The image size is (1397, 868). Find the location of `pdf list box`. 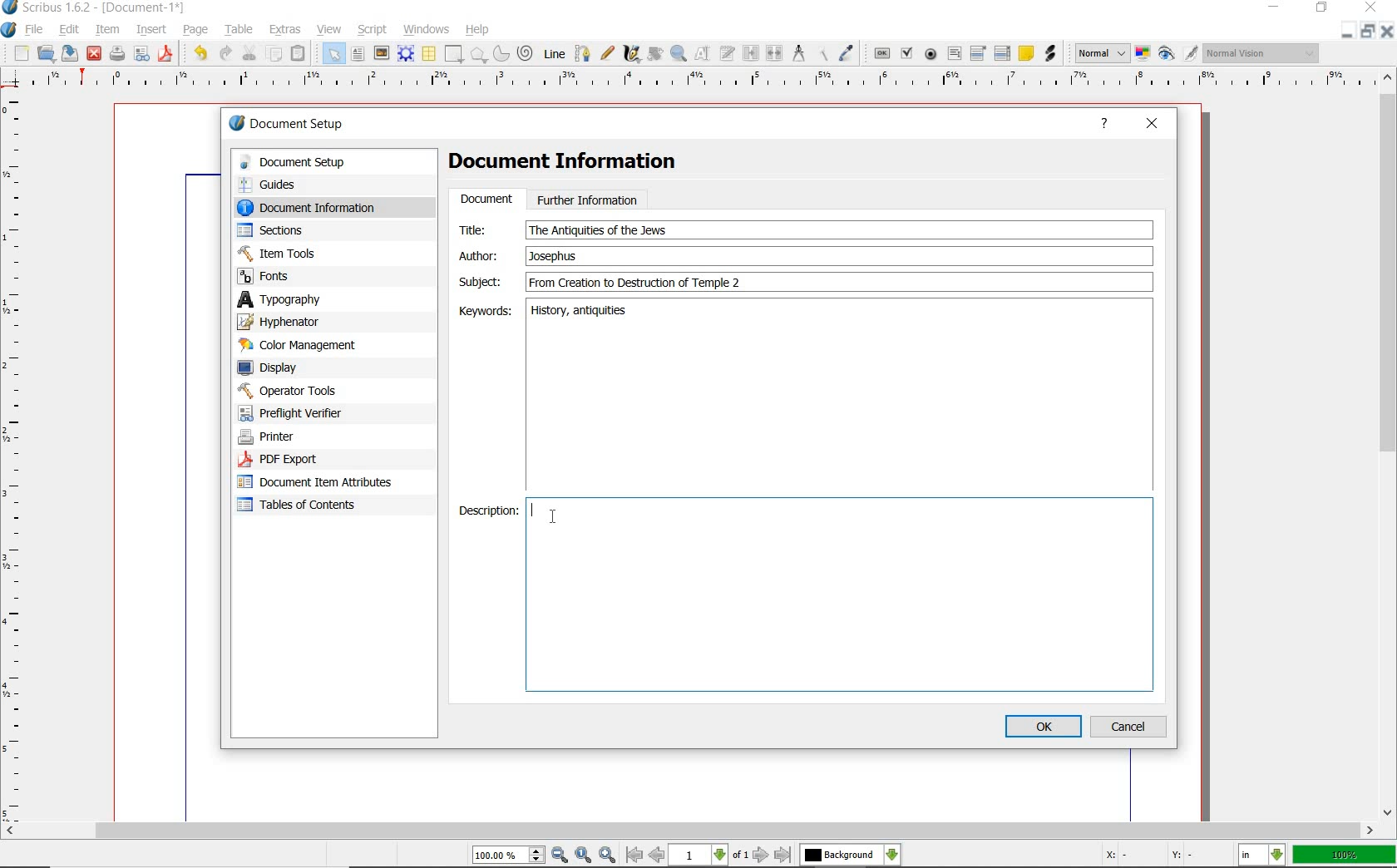

pdf list box is located at coordinates (1001, 53).